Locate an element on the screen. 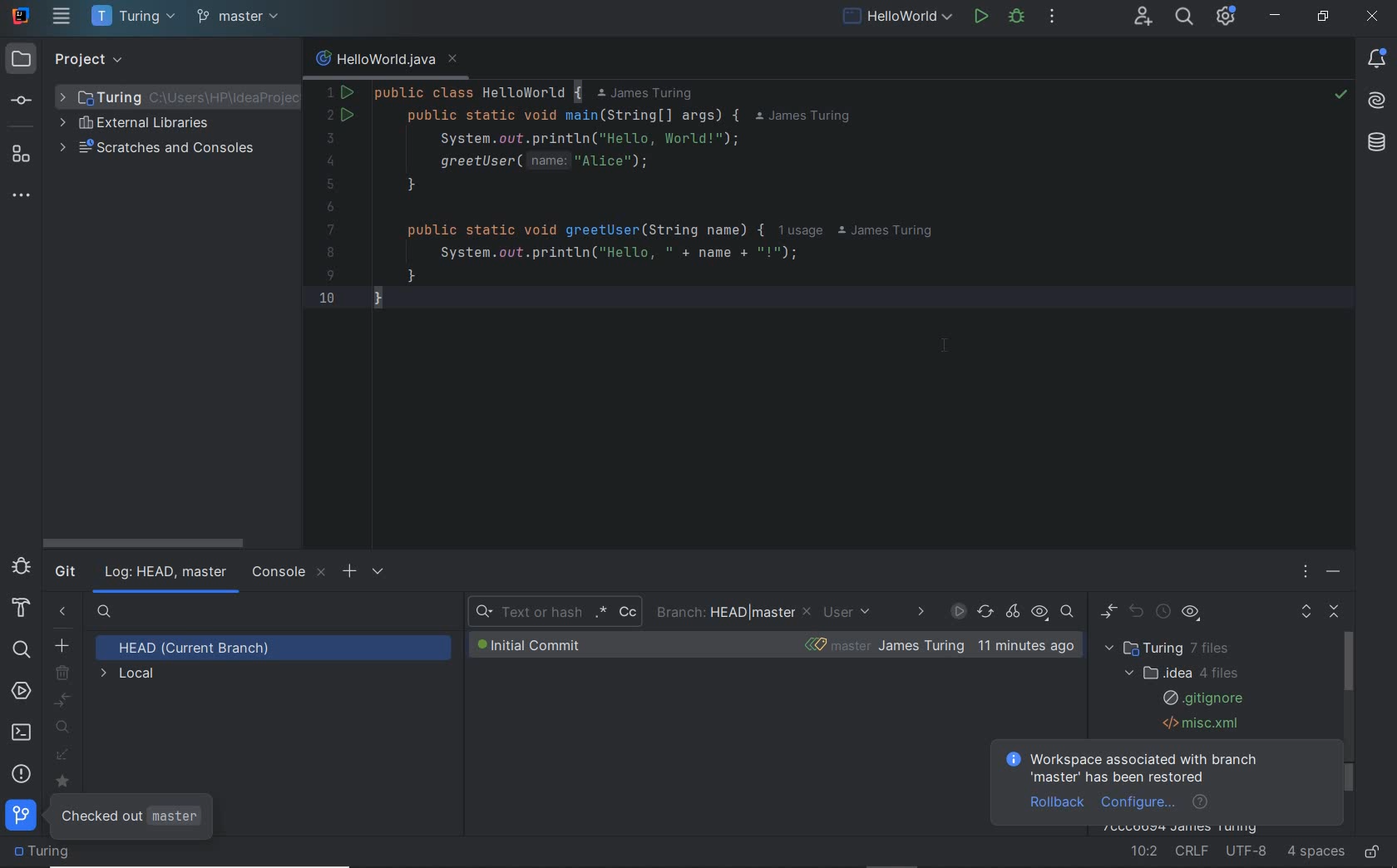 This screenshot has width=1397, height=868. searh is located at coordinates (105, 614).